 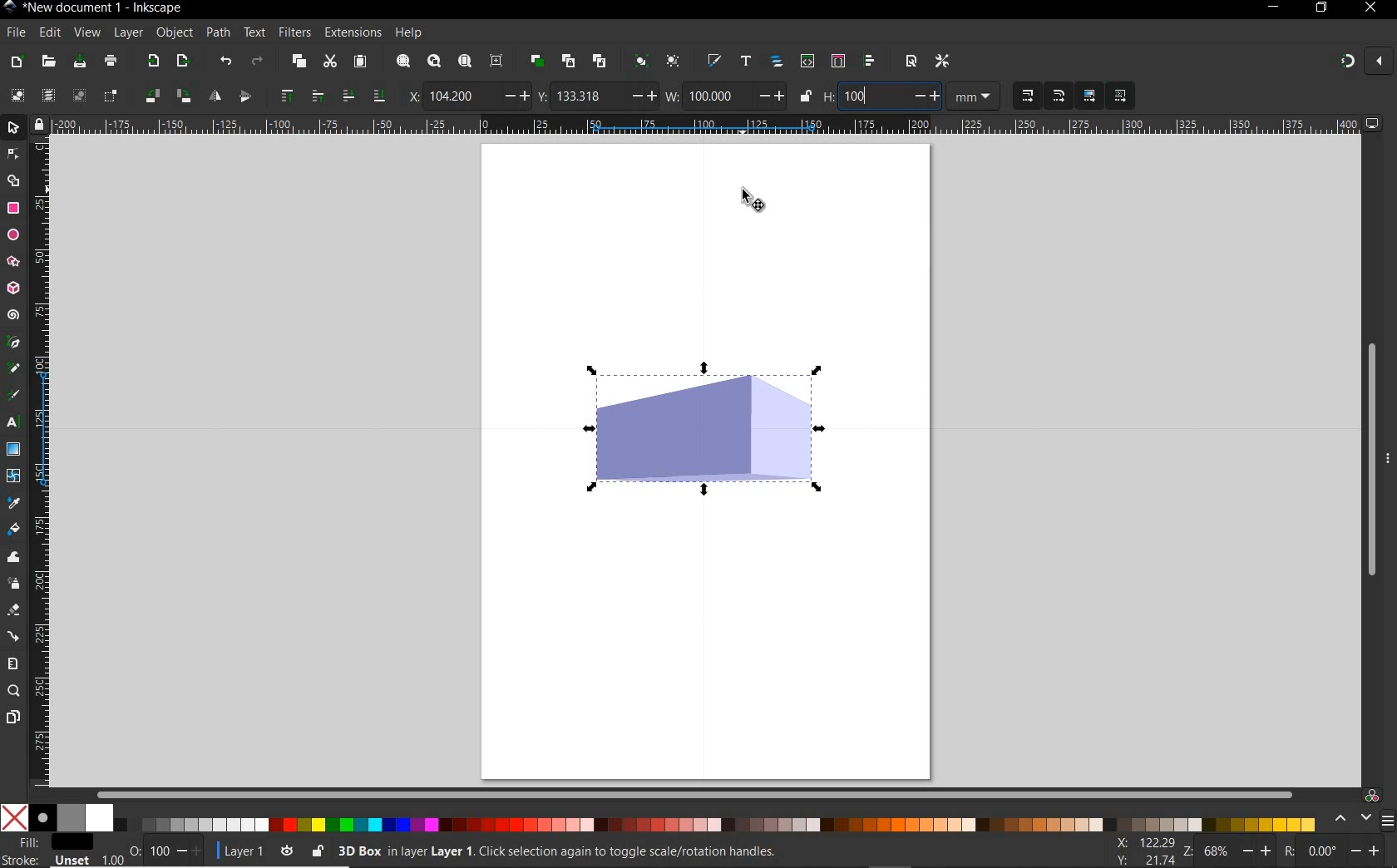 What do you see at coordinates (12, 424) in the screenshot?
I see `text tool` at bounding box center [12, 424].